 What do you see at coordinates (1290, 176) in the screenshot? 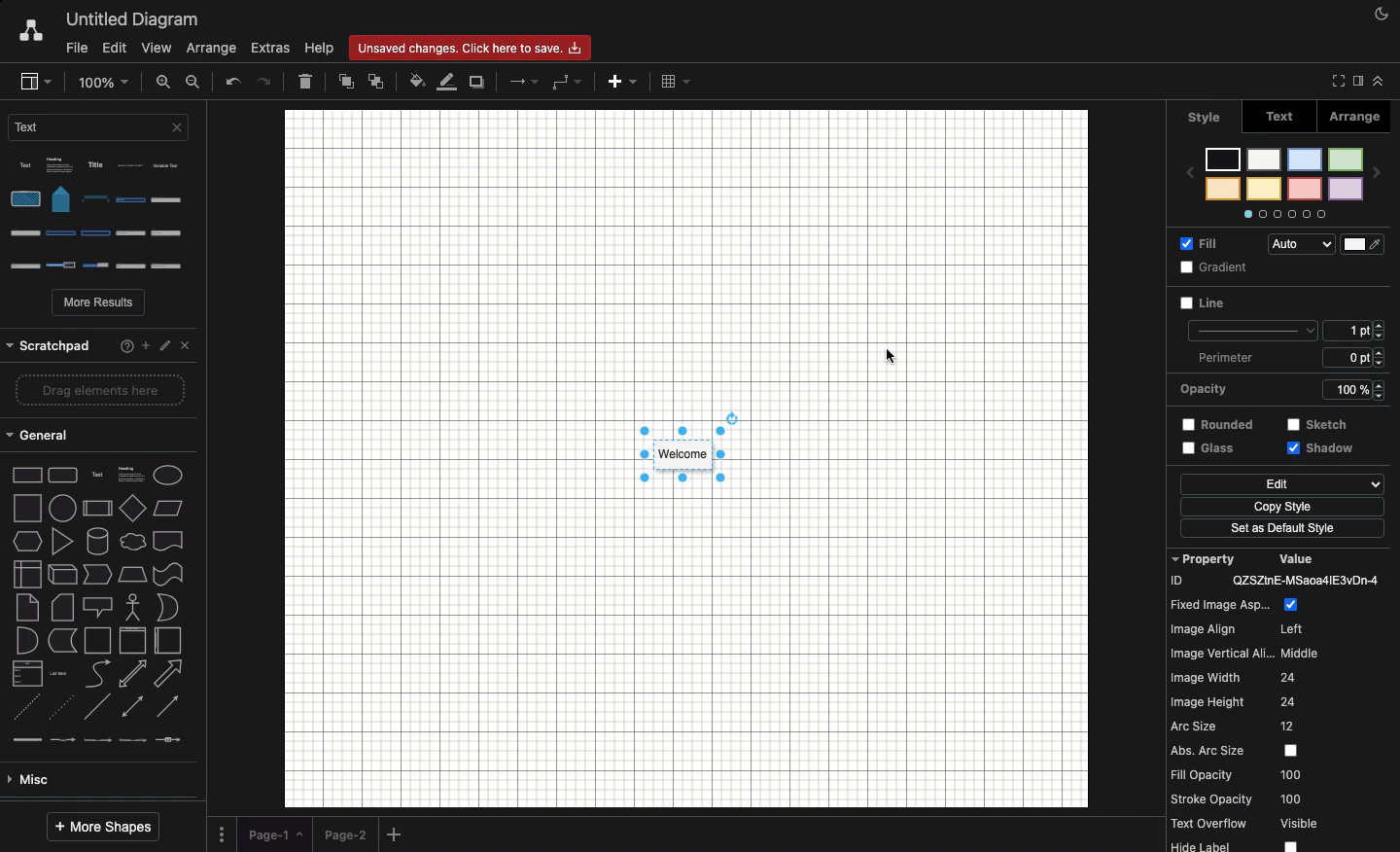
I see `Styles` at bounding box center [1290, 176].